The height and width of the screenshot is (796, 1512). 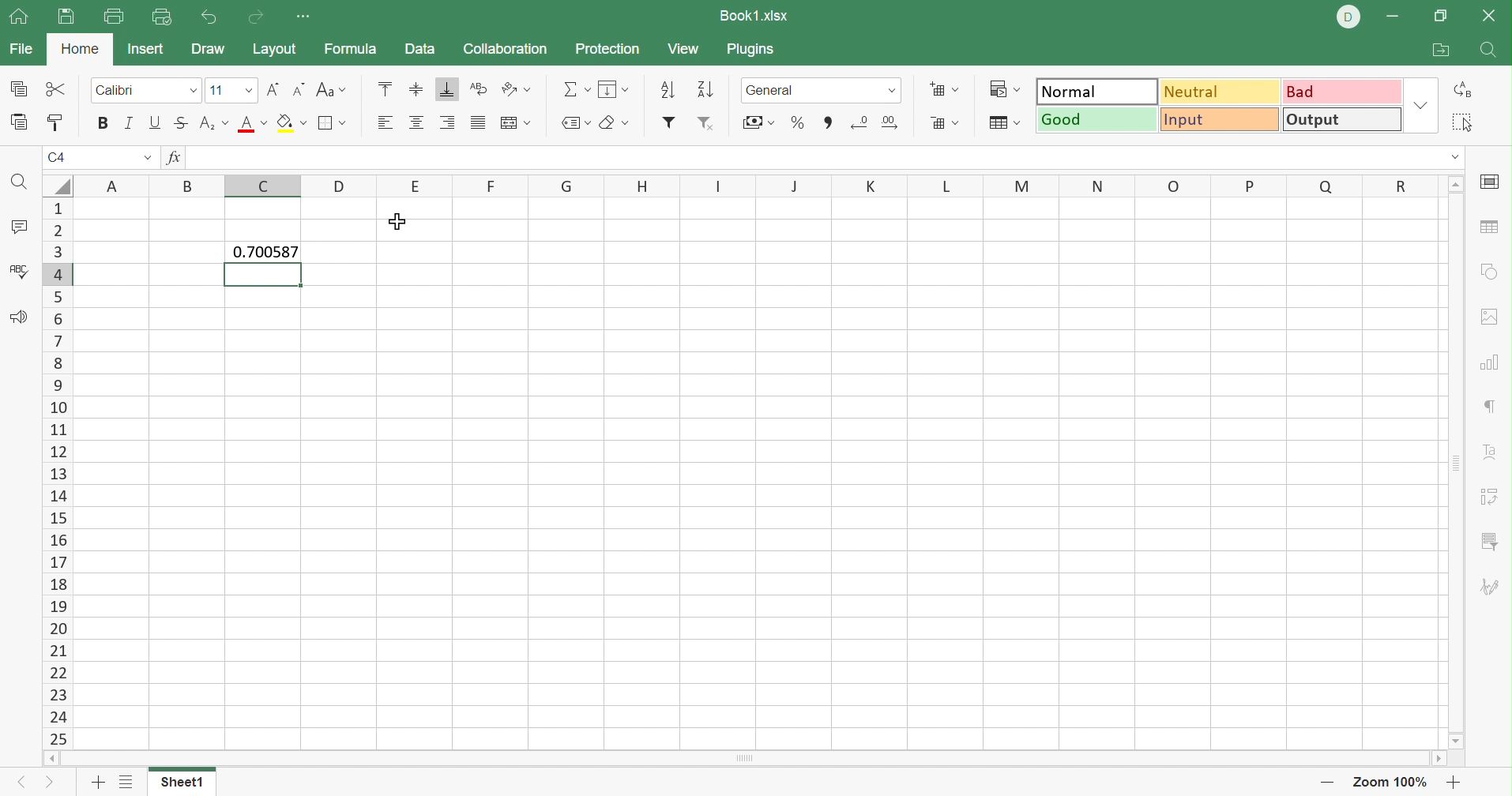 What do you see at coordinates (1454, 782) in the screenshot?
I see `Zoom in` at bounding box center [1454, 782].